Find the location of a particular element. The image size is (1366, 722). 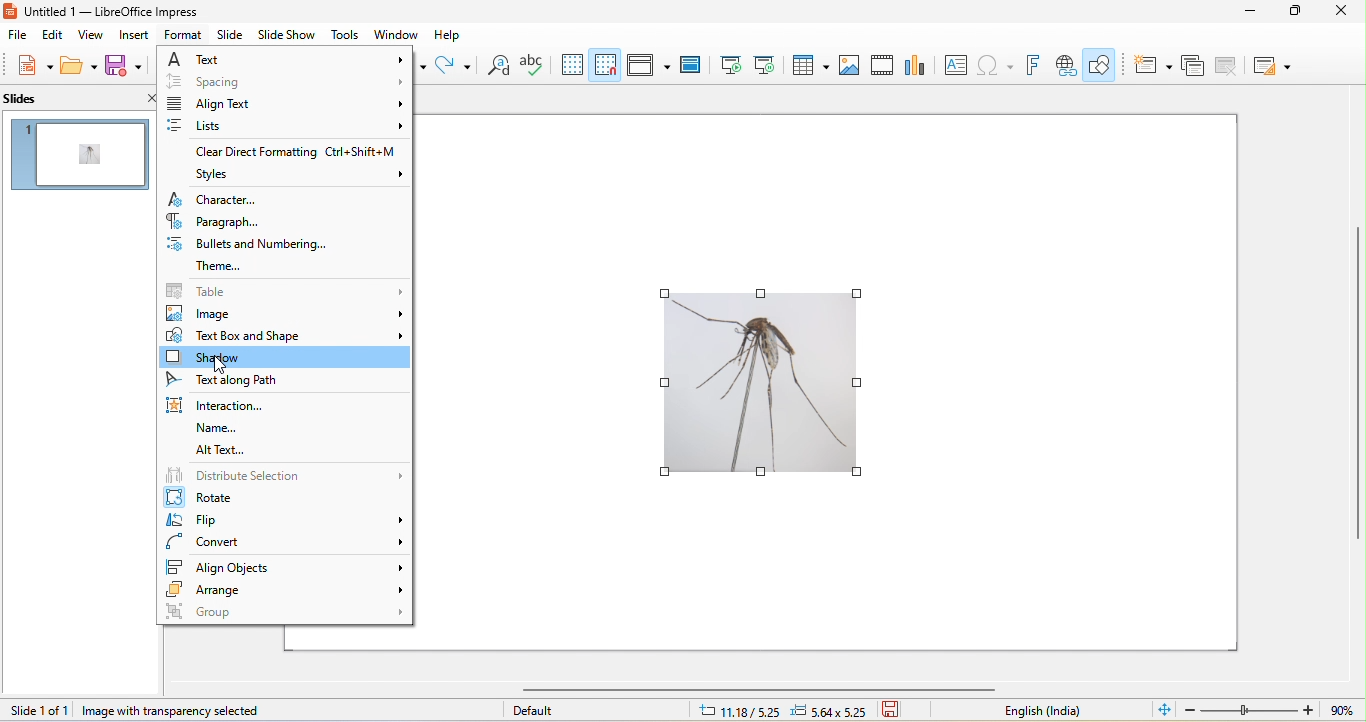

bullets and numbering is located at coordinates (251, 244).